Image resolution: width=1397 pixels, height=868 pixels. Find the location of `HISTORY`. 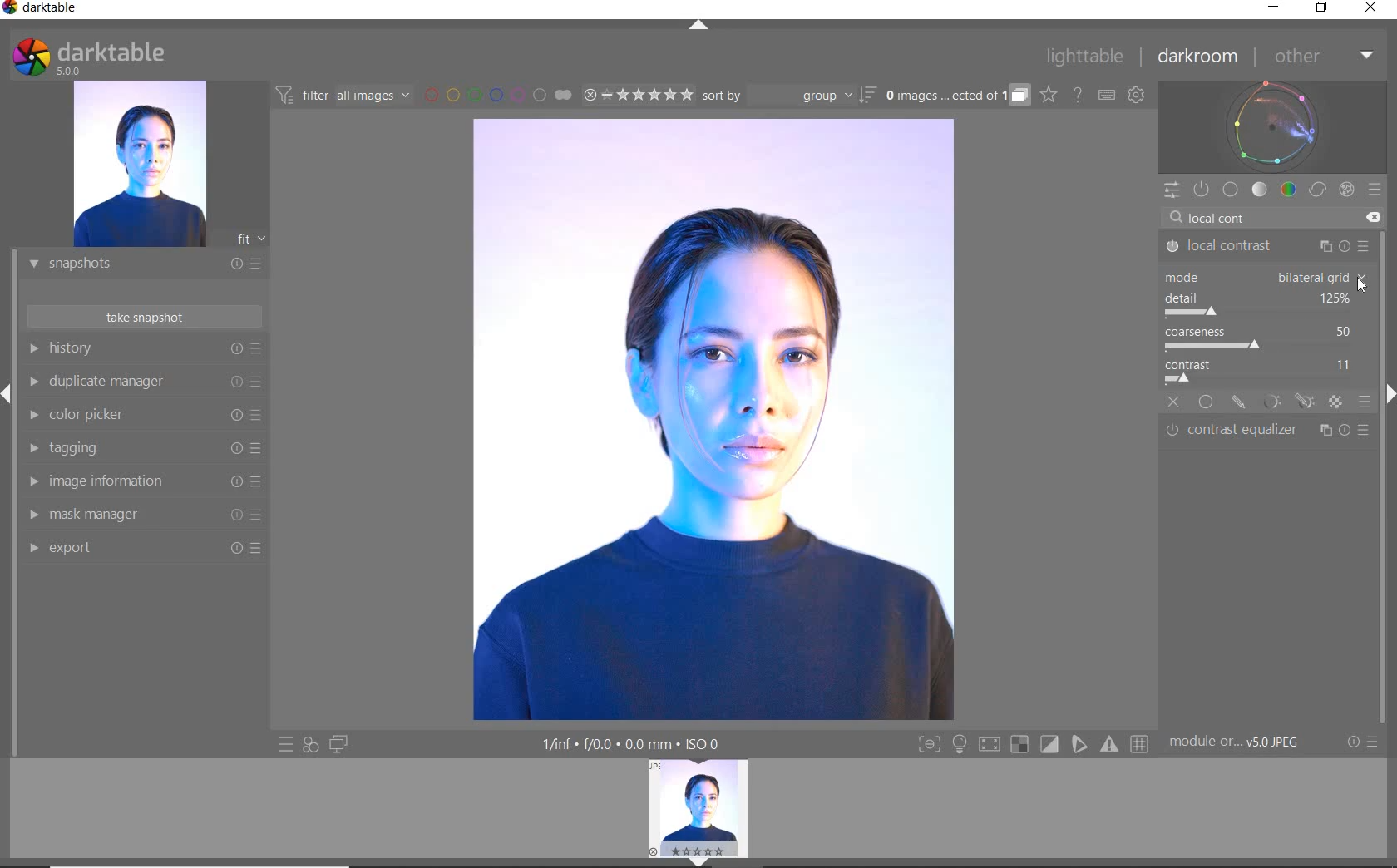

HISTORY is located at coordinates (146, 352).